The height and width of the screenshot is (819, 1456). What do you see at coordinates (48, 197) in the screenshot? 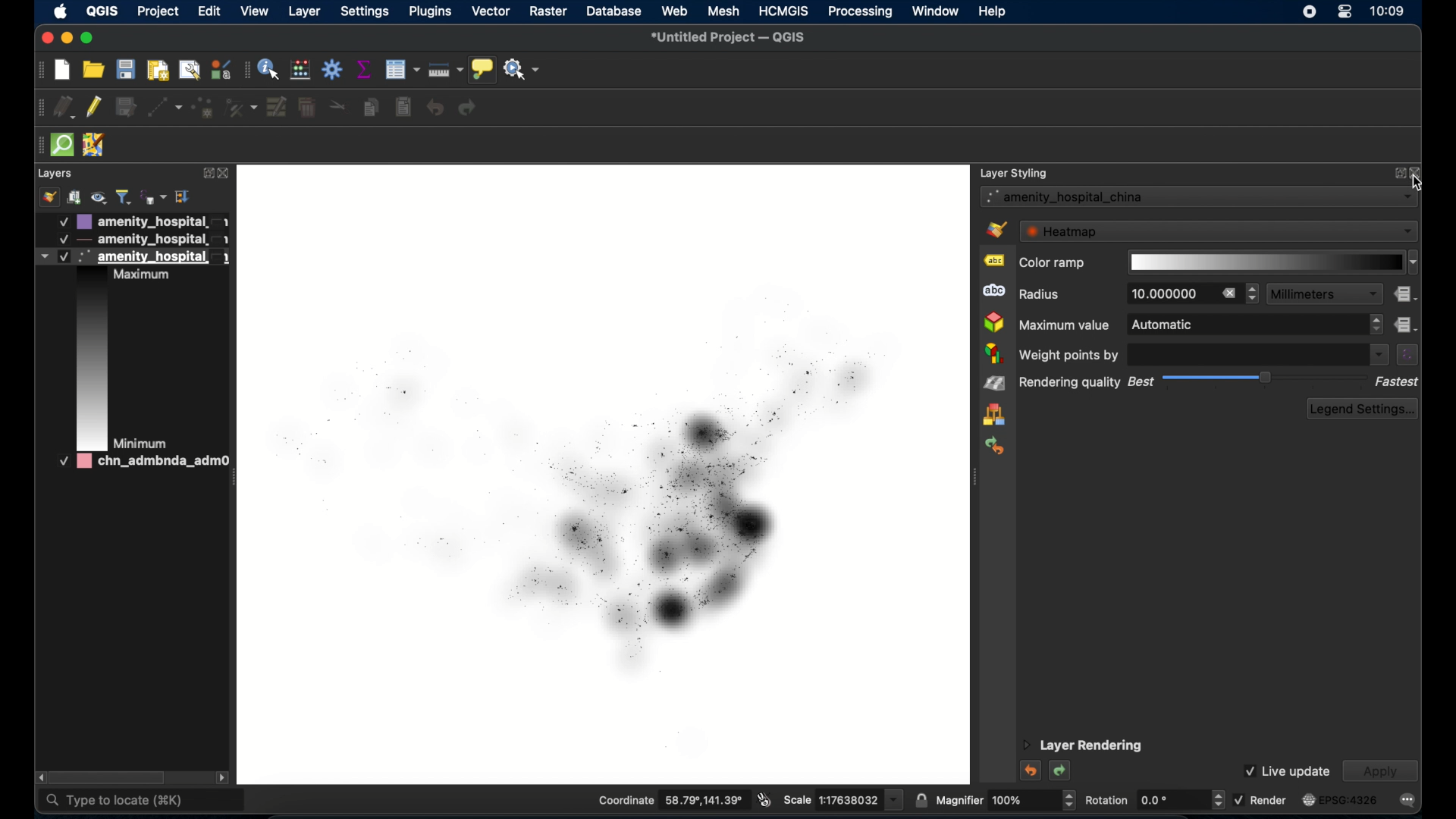
I see `style manager` at bounding box center [48, 197].